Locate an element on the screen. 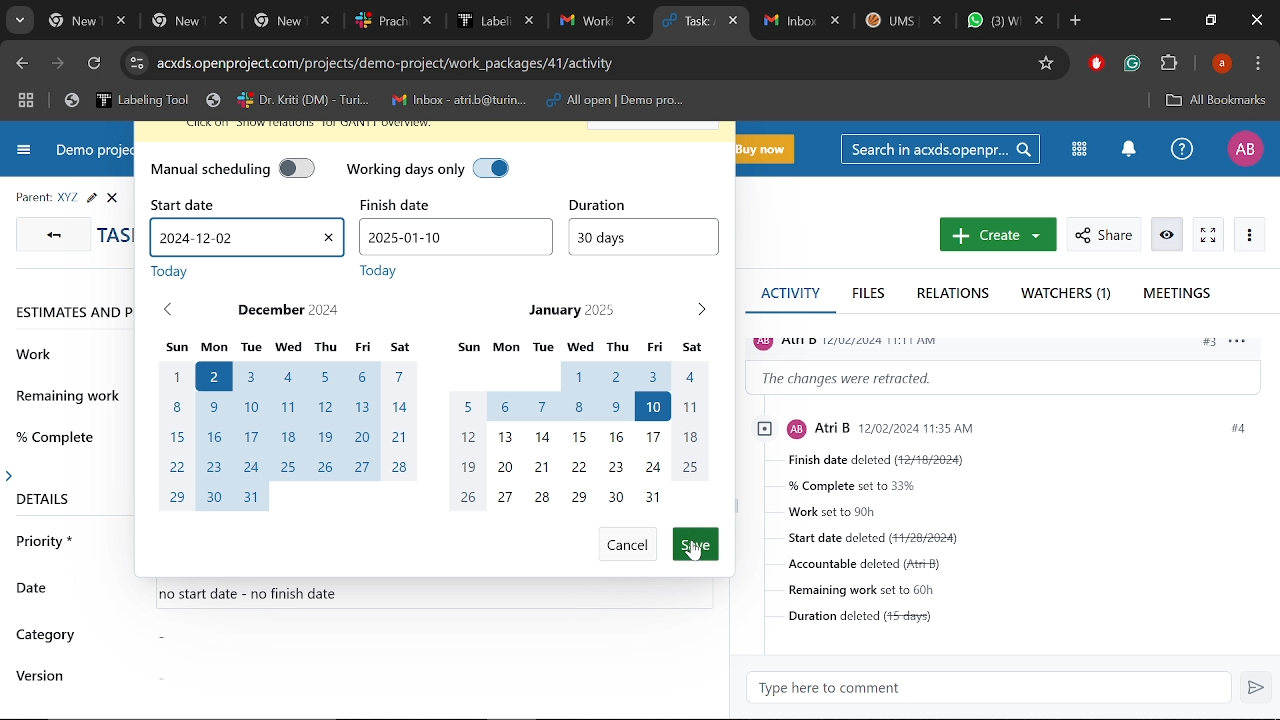  Tab groups is located at coordinates (28, 100).